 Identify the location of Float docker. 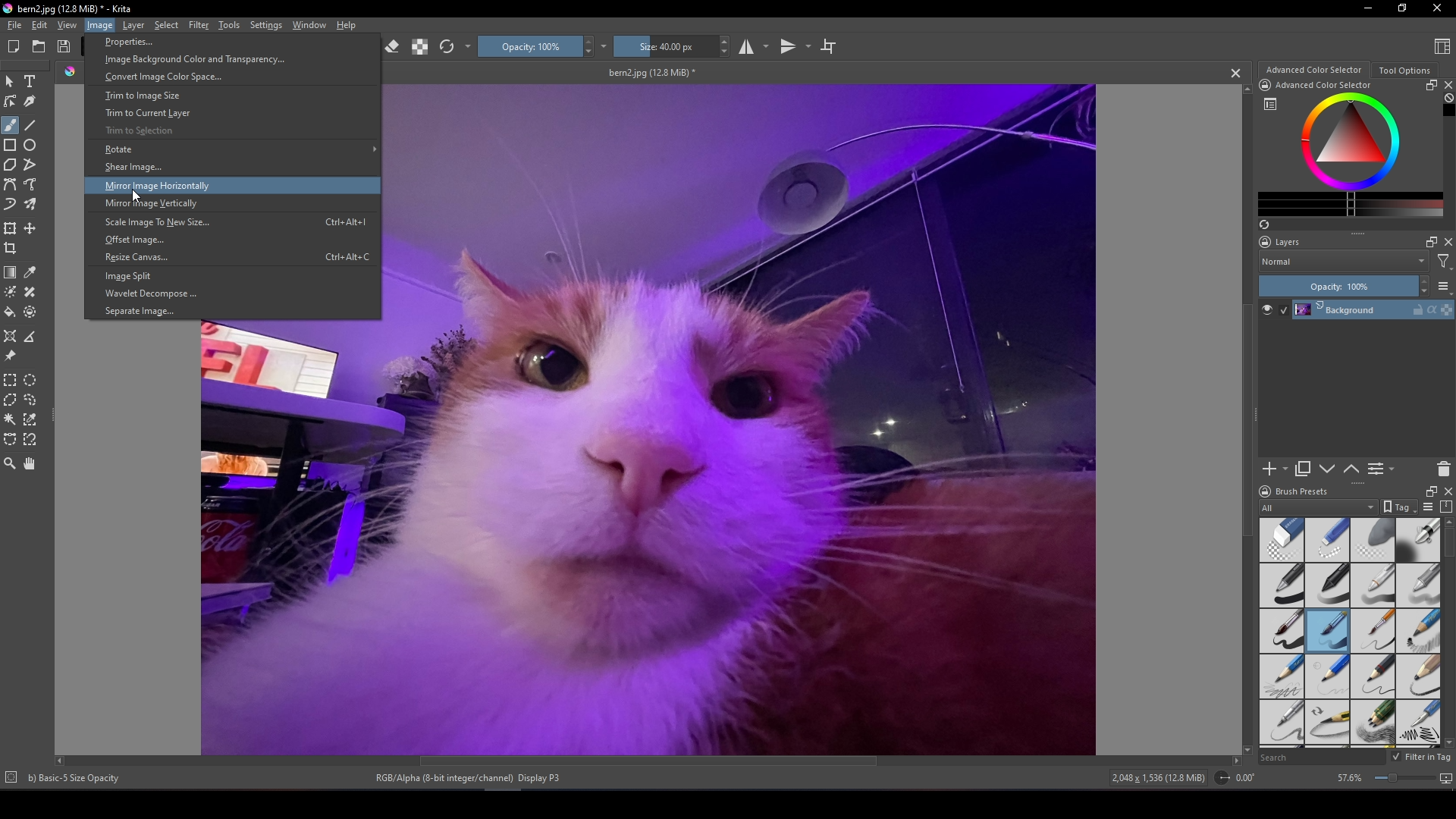
(1430, 242).